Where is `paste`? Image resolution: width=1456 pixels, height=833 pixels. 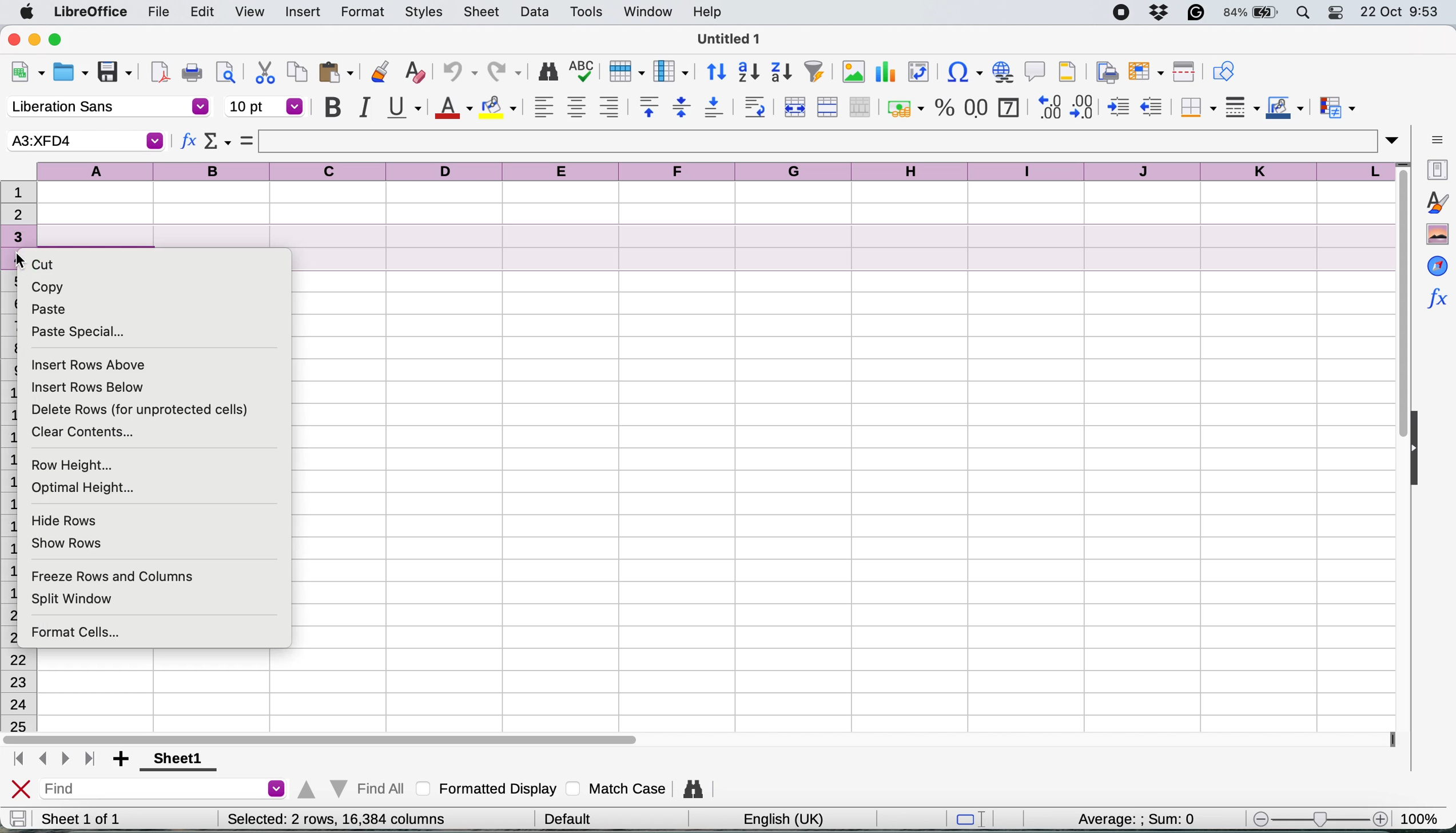
paste is located at coordinates (336, 72).